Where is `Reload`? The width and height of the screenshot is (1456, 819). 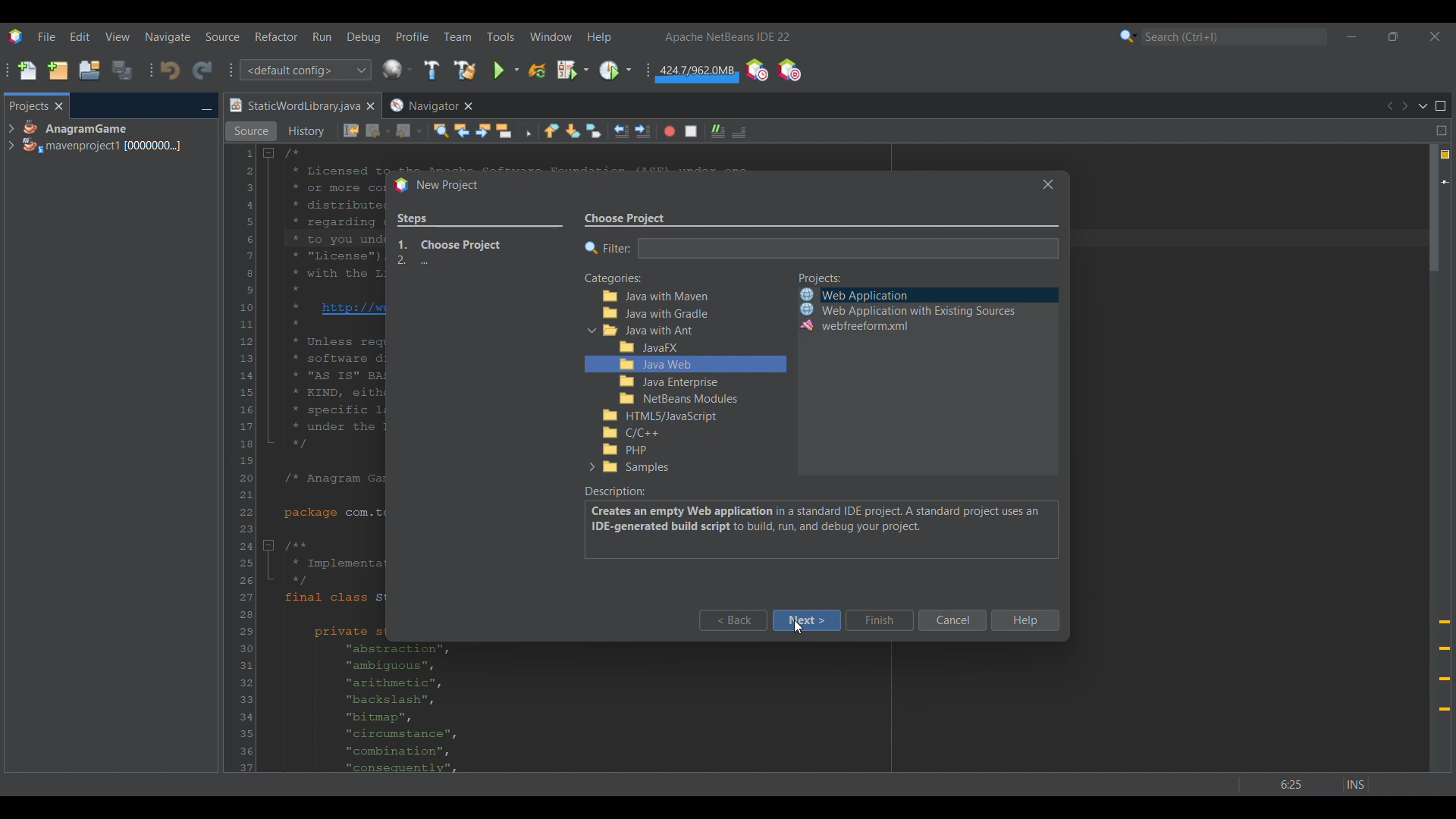 Reload is located at coordinates (537, 71).